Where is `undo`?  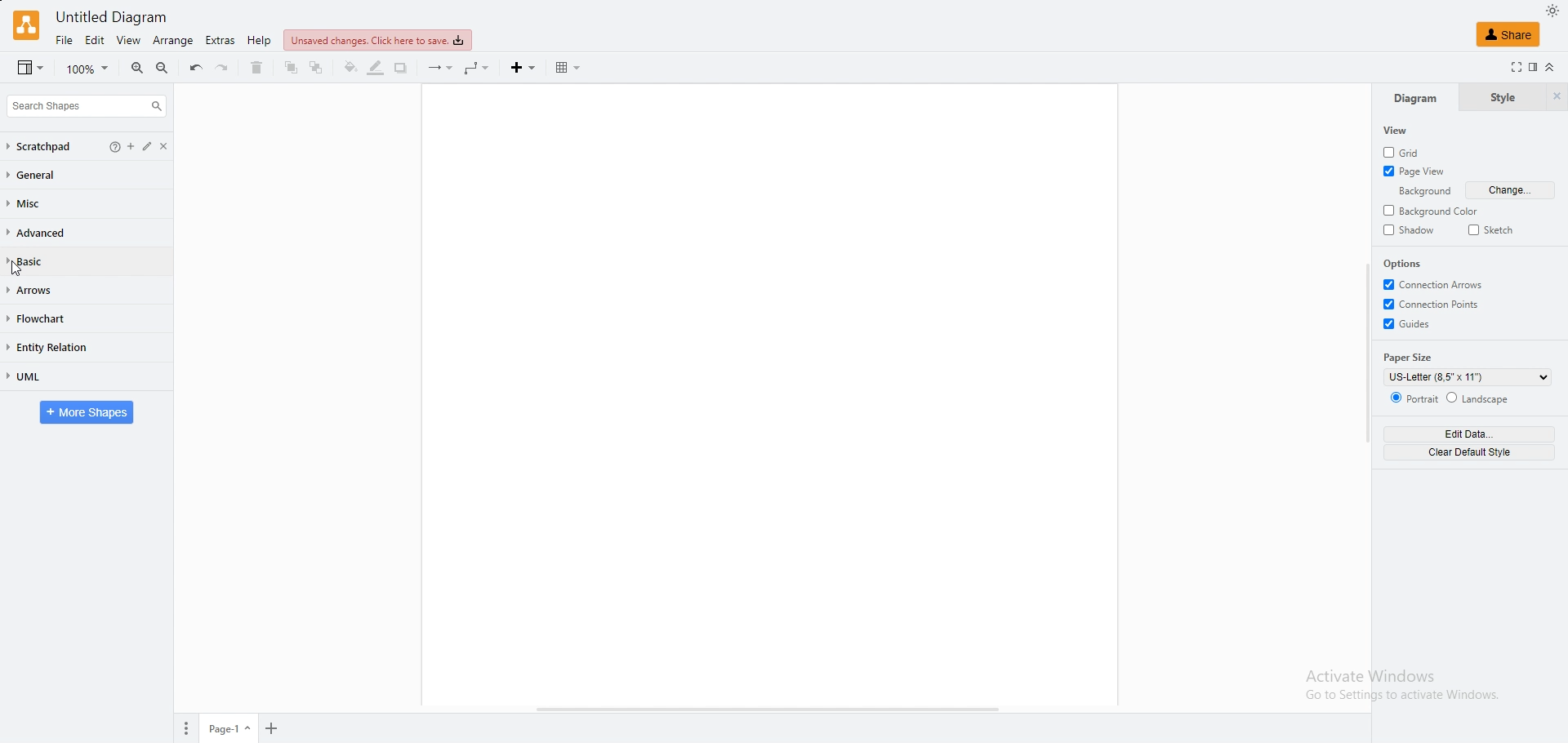
undo is located at coordinates (195, 68).